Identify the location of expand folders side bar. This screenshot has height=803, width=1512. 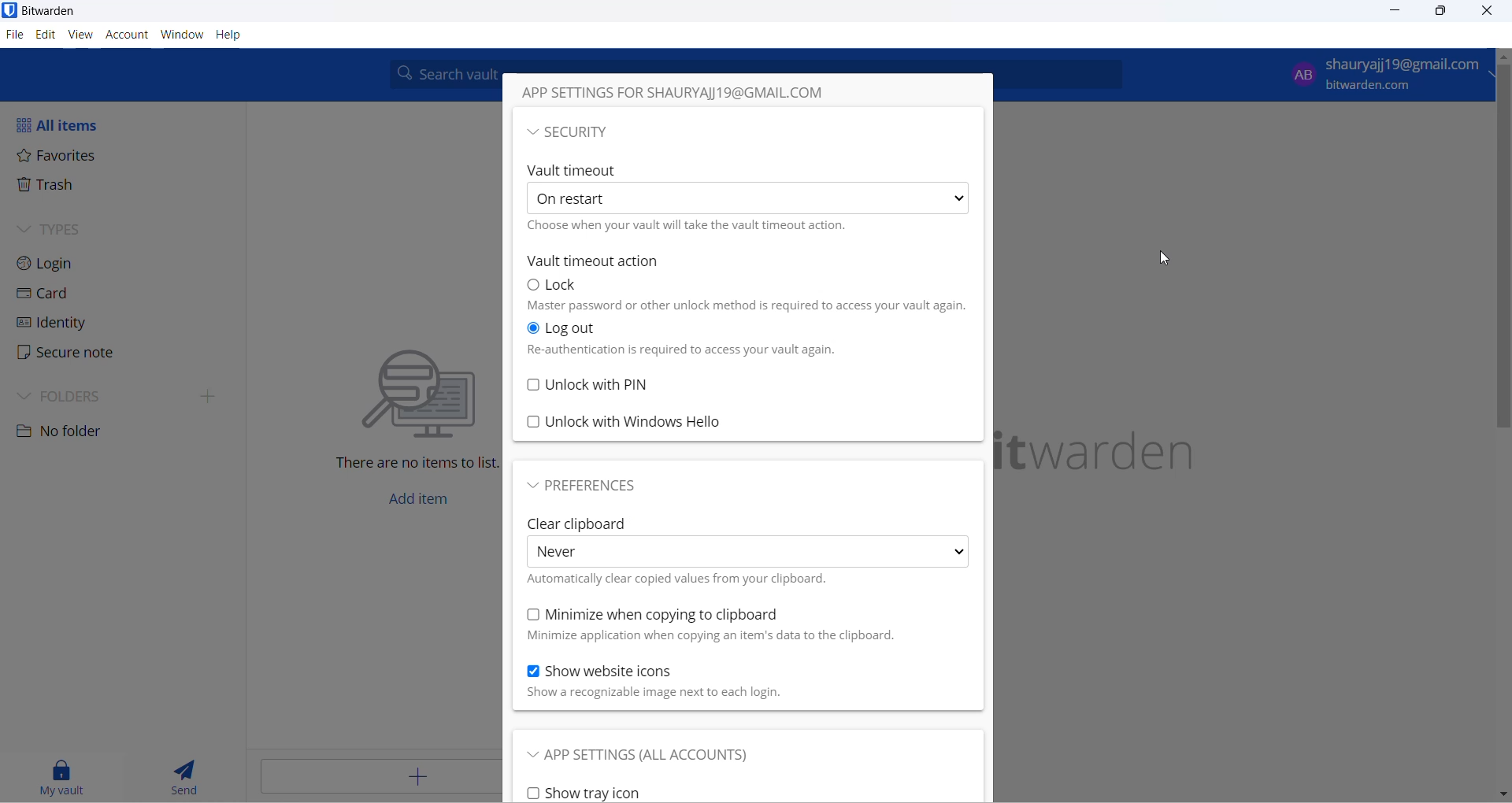
(210, 399).